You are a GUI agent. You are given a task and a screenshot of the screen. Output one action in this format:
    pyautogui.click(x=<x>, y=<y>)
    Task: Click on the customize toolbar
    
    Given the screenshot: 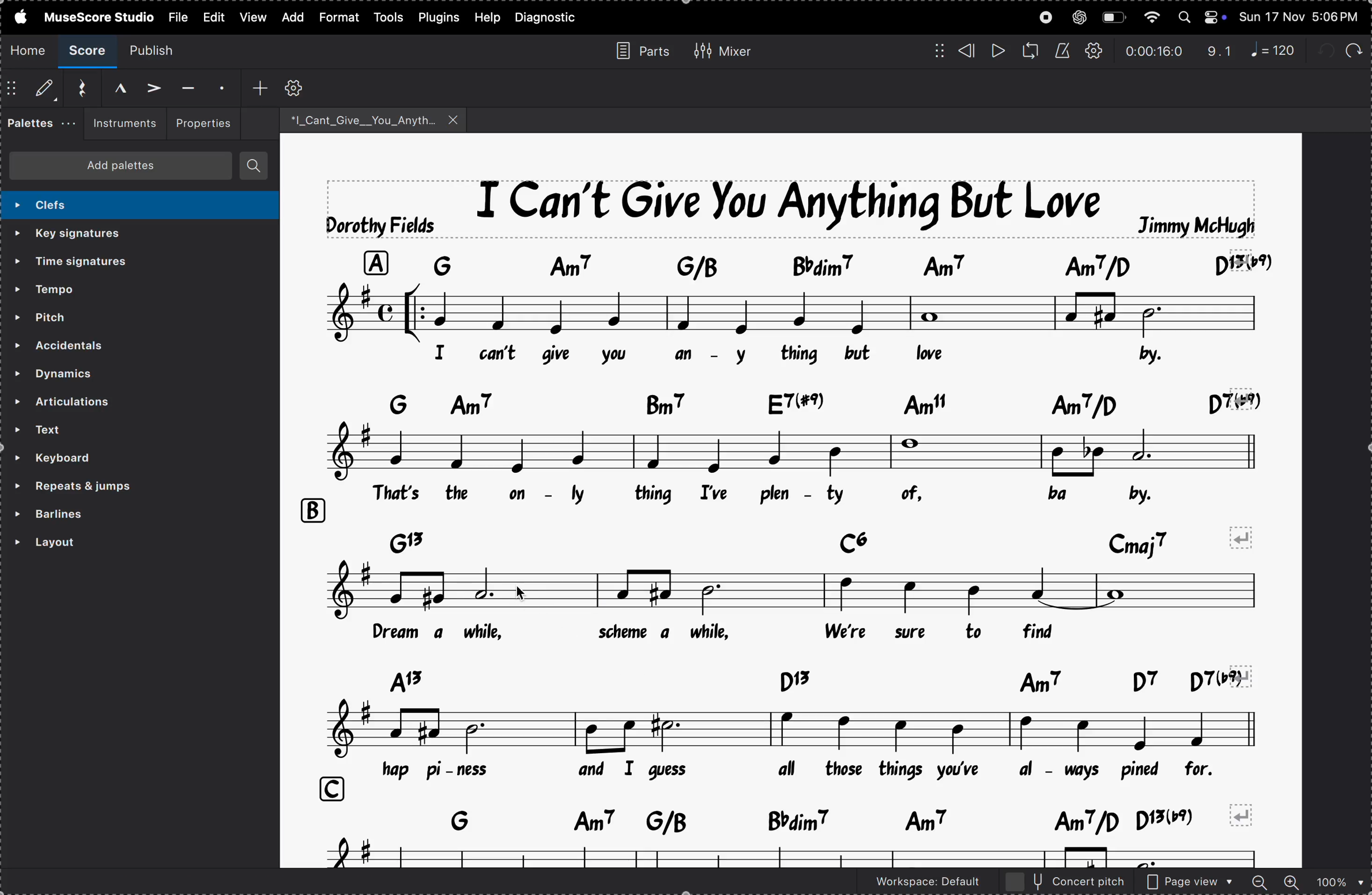 What is the action you would take?
    pyautogui.click(x=296, y=87)
    